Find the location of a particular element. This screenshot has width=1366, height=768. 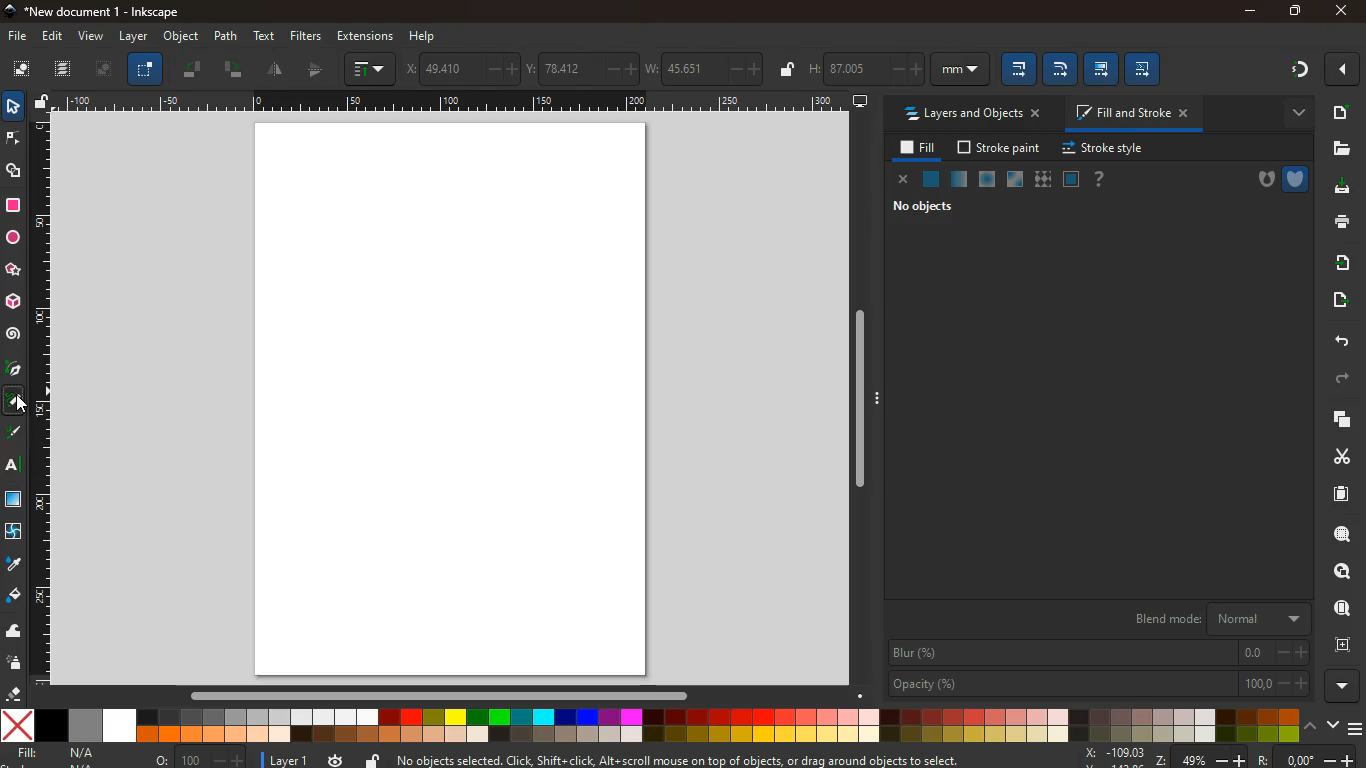

No objects selected. Click Shift+ click Alt+scroll mouse on top of objects. or drag around objects to select. is located at coordinates (692, 759).